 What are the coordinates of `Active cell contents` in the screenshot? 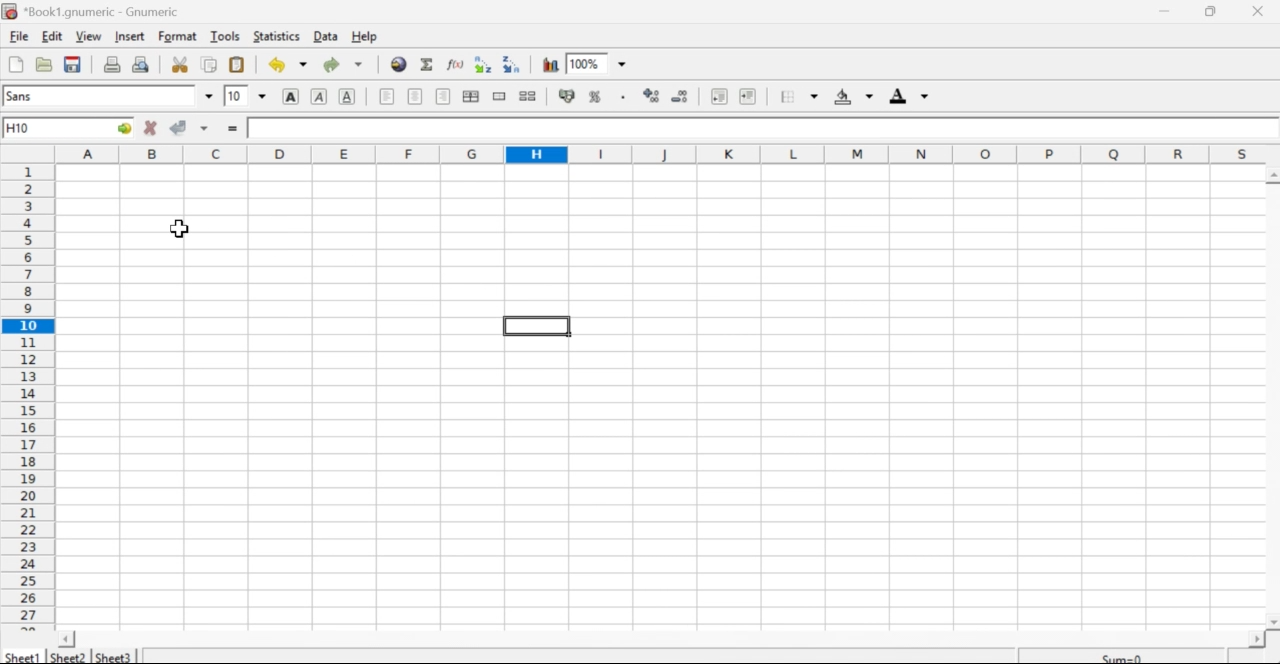 It's located at (760, 127).